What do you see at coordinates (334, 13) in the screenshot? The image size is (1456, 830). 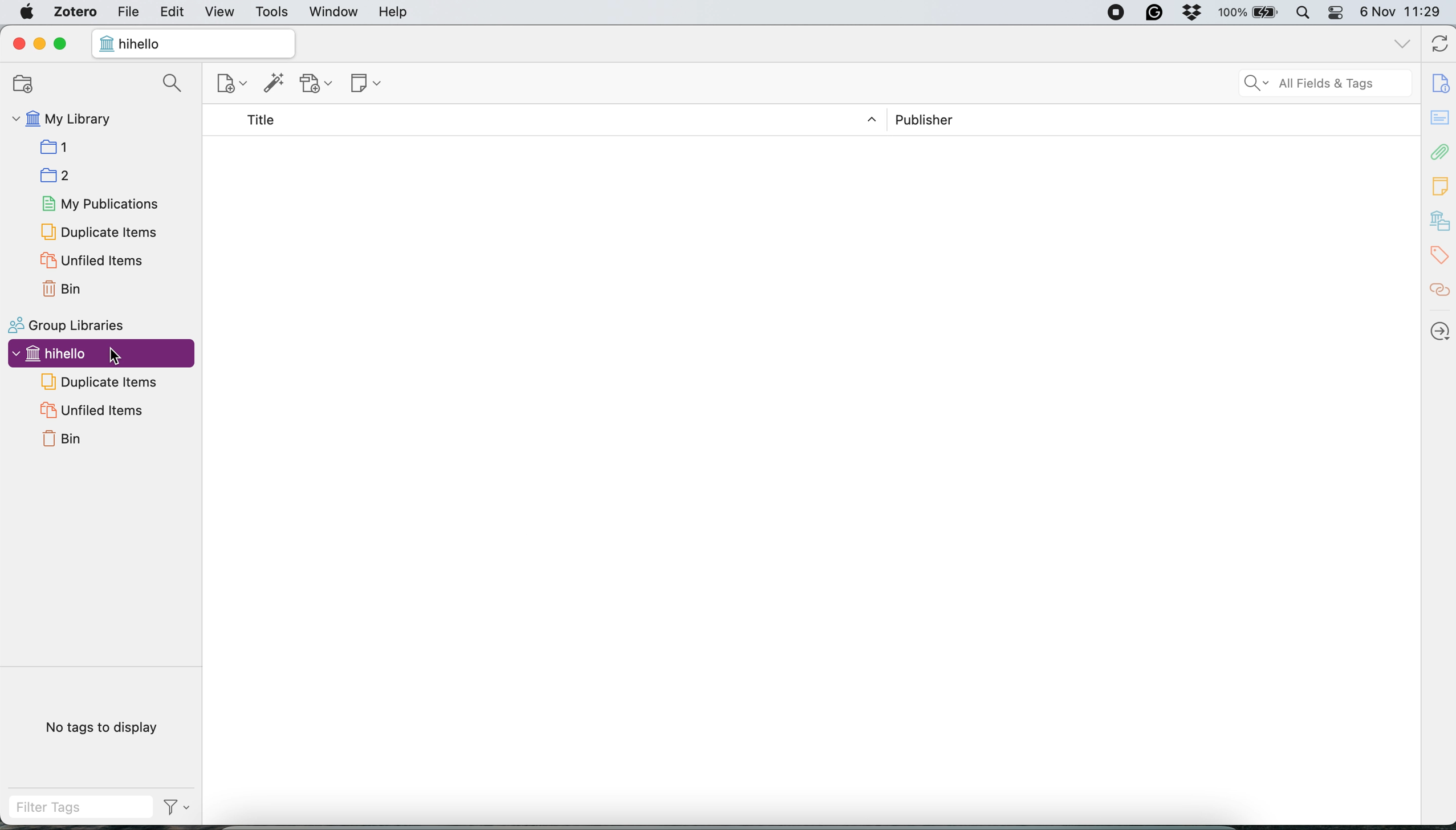 I see `window` at bounding box center [334, 13].